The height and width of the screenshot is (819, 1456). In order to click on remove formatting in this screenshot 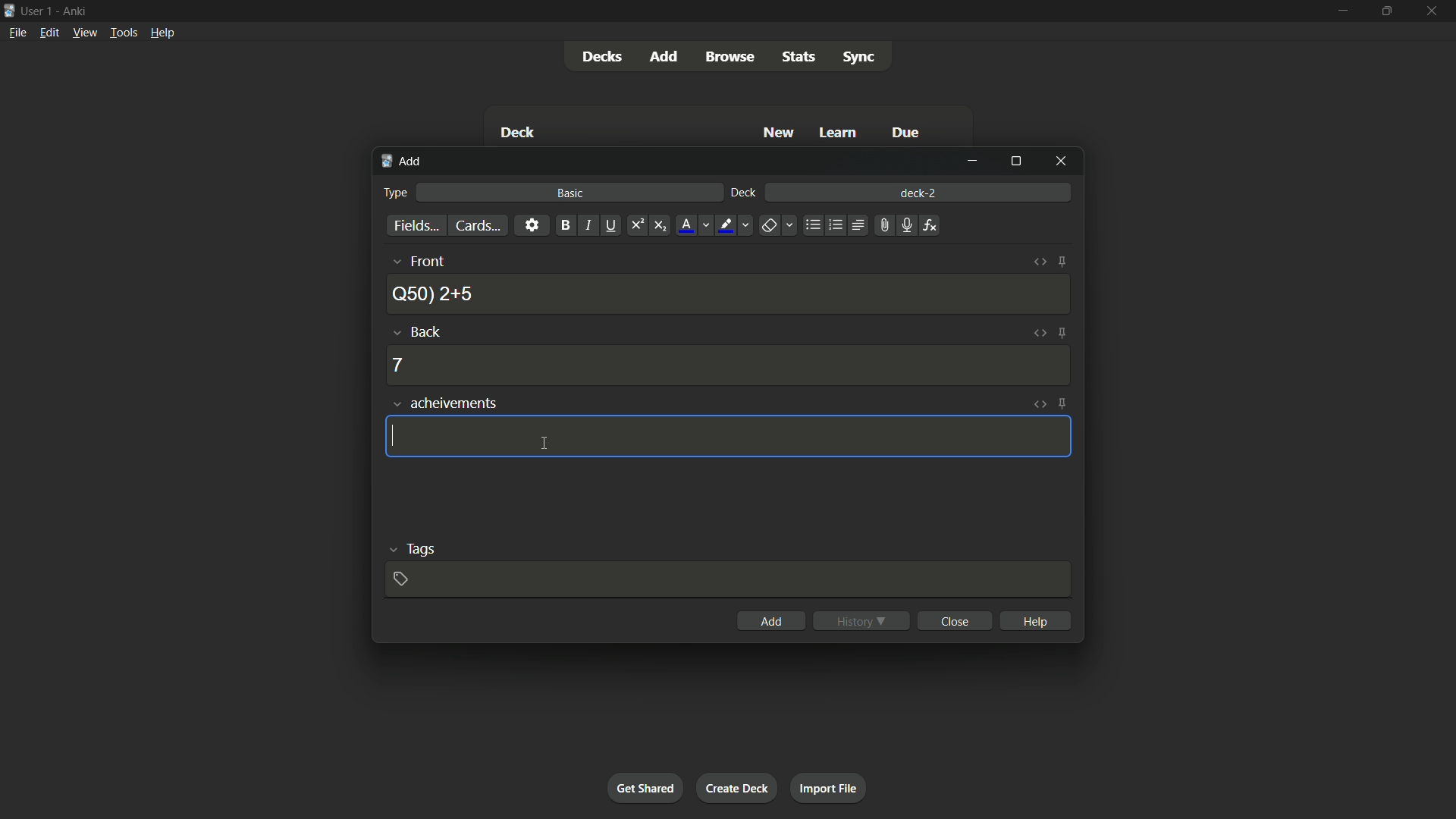, I will do `click(779, 225)`.